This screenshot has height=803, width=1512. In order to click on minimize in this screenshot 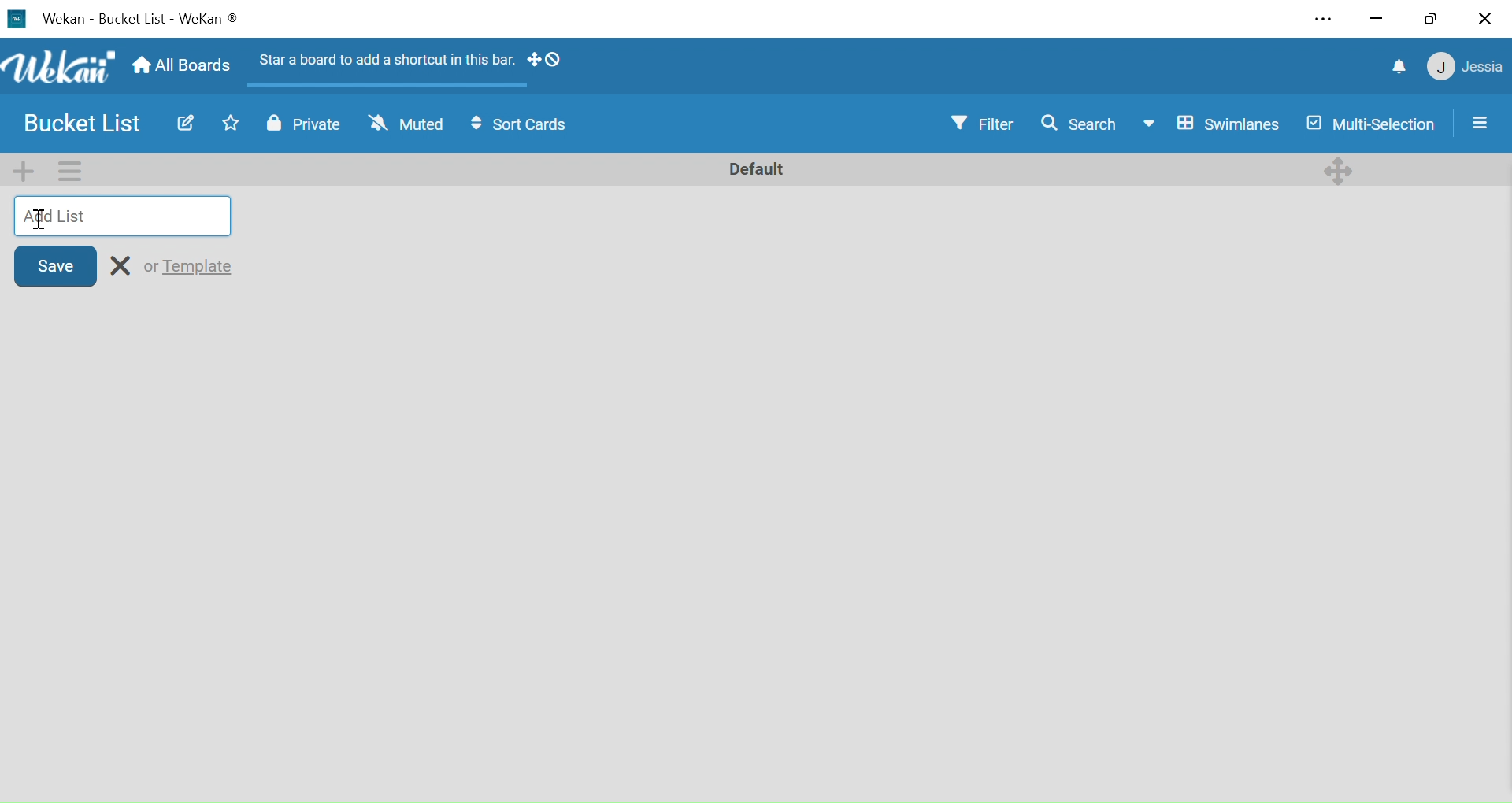, I will do `click(1377, 20)`.